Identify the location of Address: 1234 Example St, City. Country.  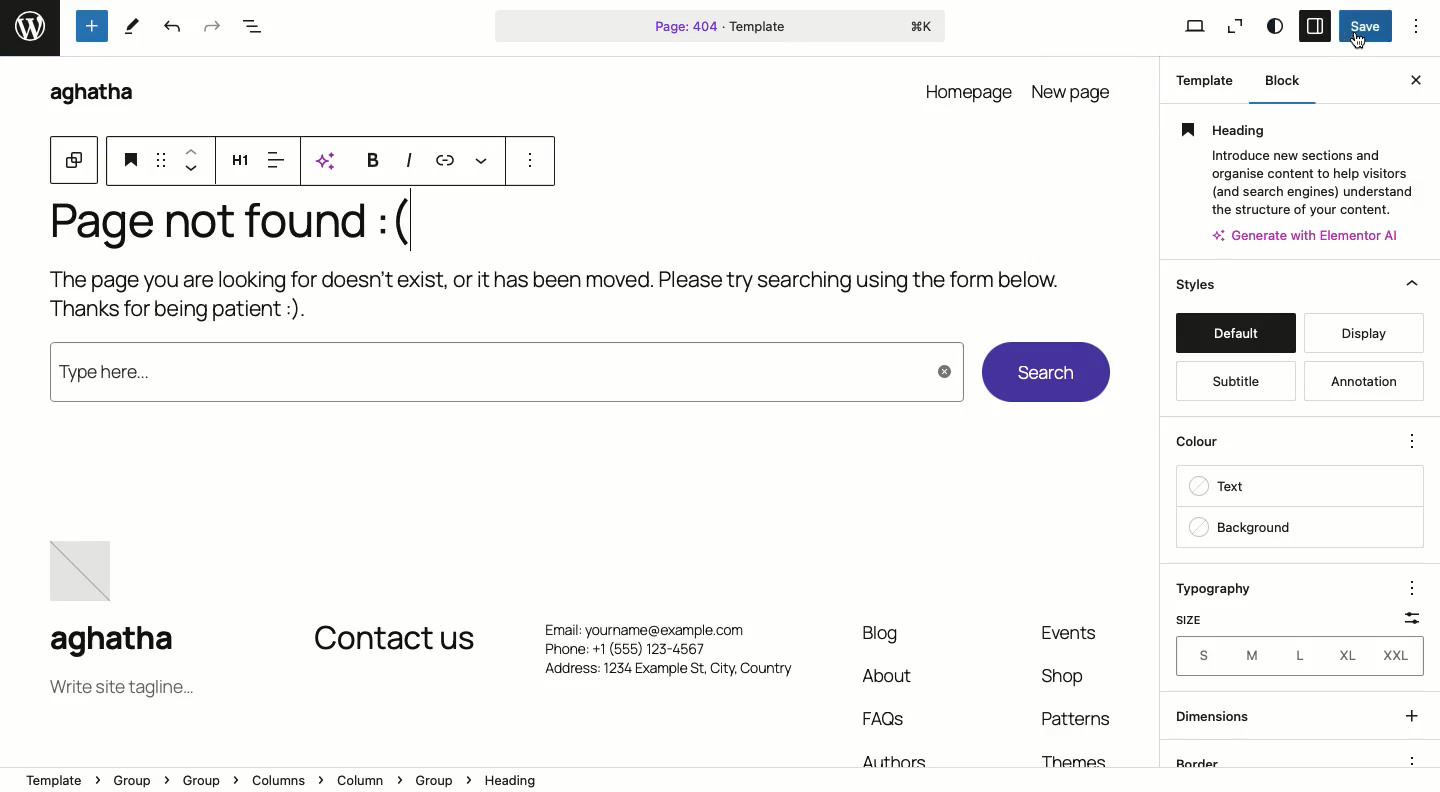
(667, 674).